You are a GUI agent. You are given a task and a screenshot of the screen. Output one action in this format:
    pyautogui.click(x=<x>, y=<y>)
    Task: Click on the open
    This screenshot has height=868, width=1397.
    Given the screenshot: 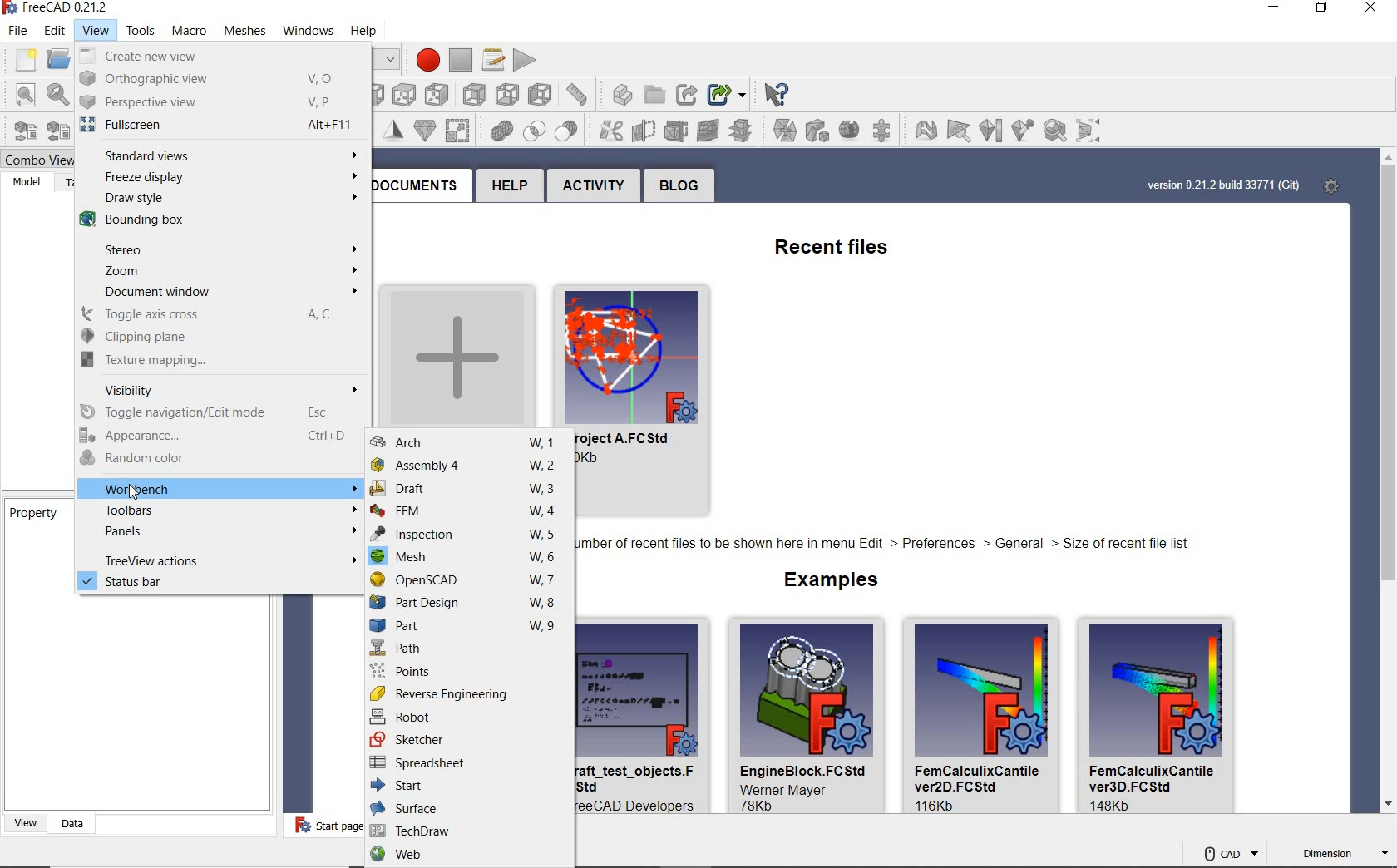 What is the action you would take?
    pyautogui.click(x=56, y=57)
    